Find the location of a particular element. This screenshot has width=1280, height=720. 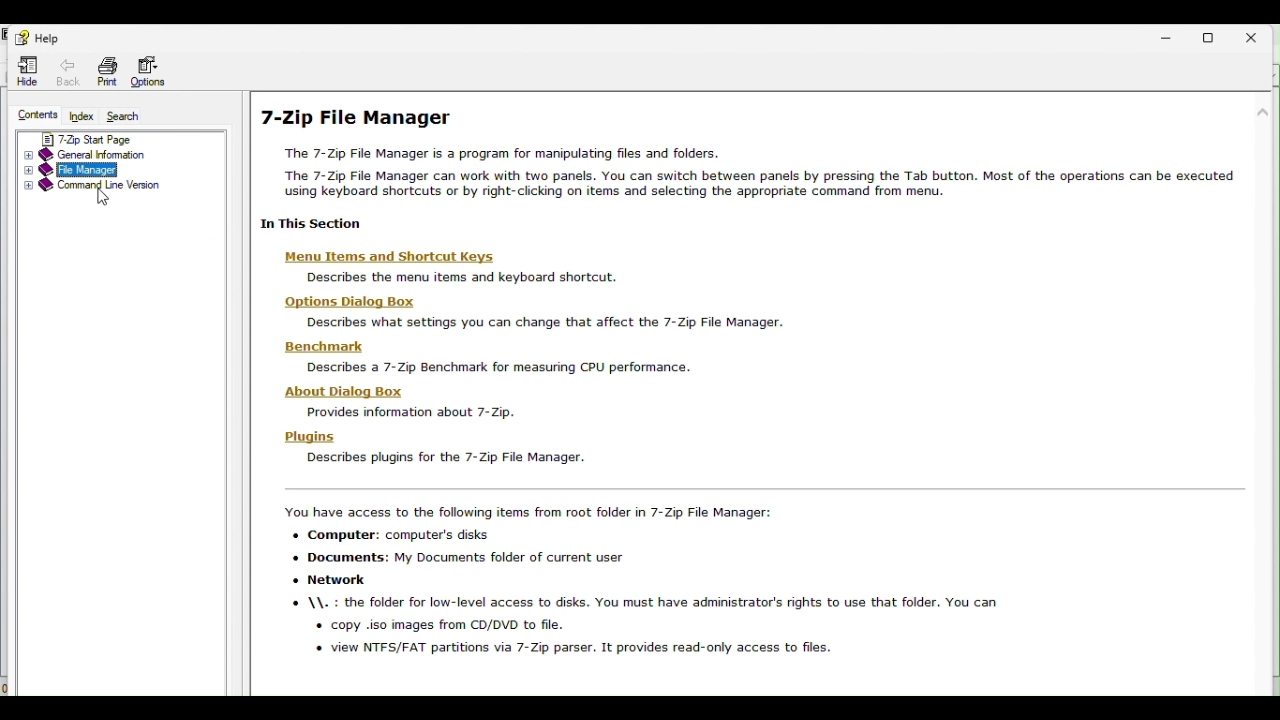

provides information about 7 zip is located at coordinates (411, 412).